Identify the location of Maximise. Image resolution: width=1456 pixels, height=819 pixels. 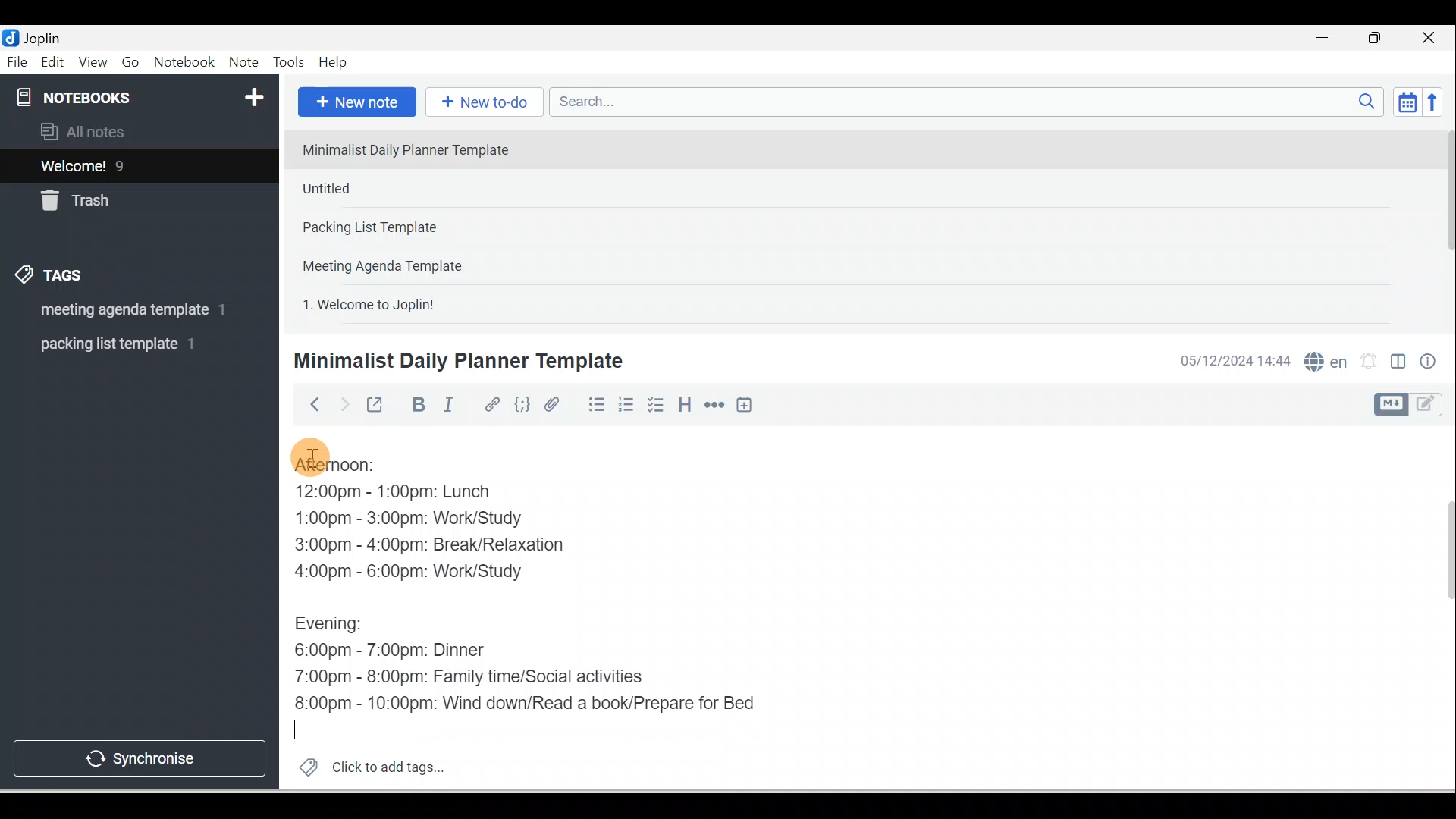
(1380, 39).